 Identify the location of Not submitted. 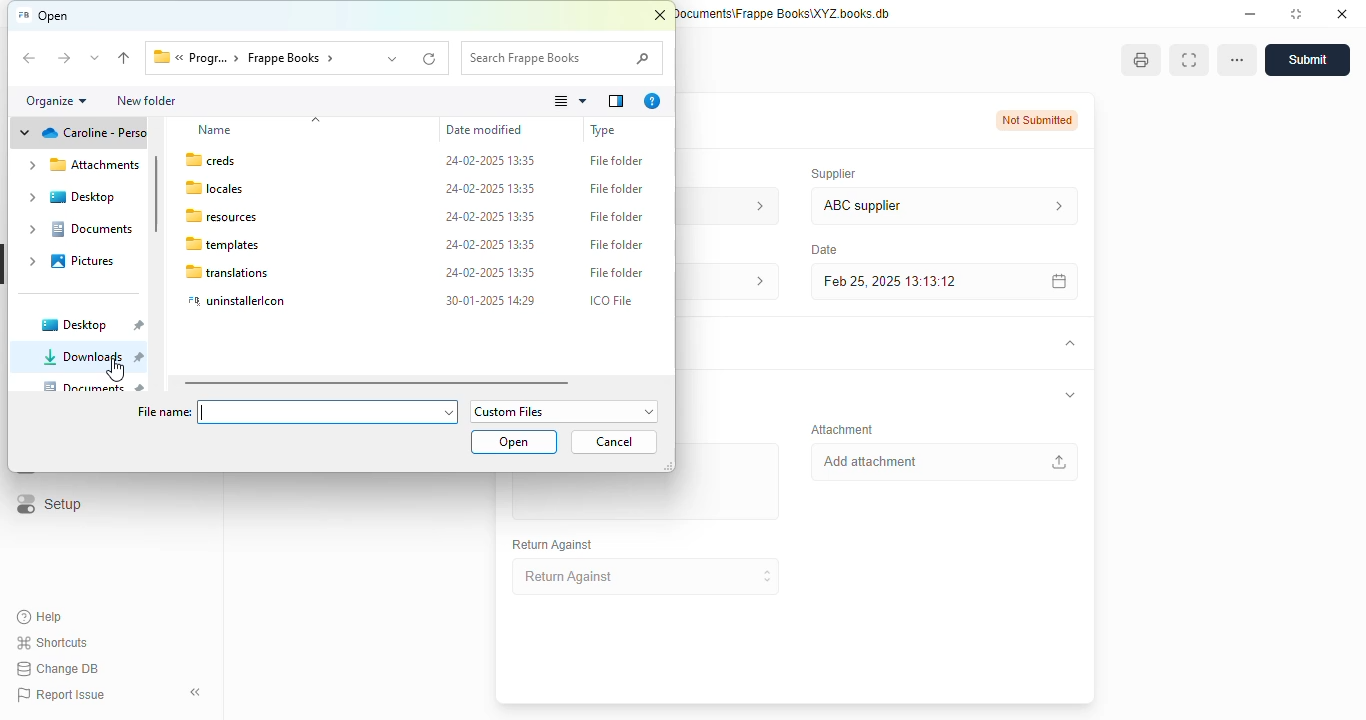
(1038, 120).